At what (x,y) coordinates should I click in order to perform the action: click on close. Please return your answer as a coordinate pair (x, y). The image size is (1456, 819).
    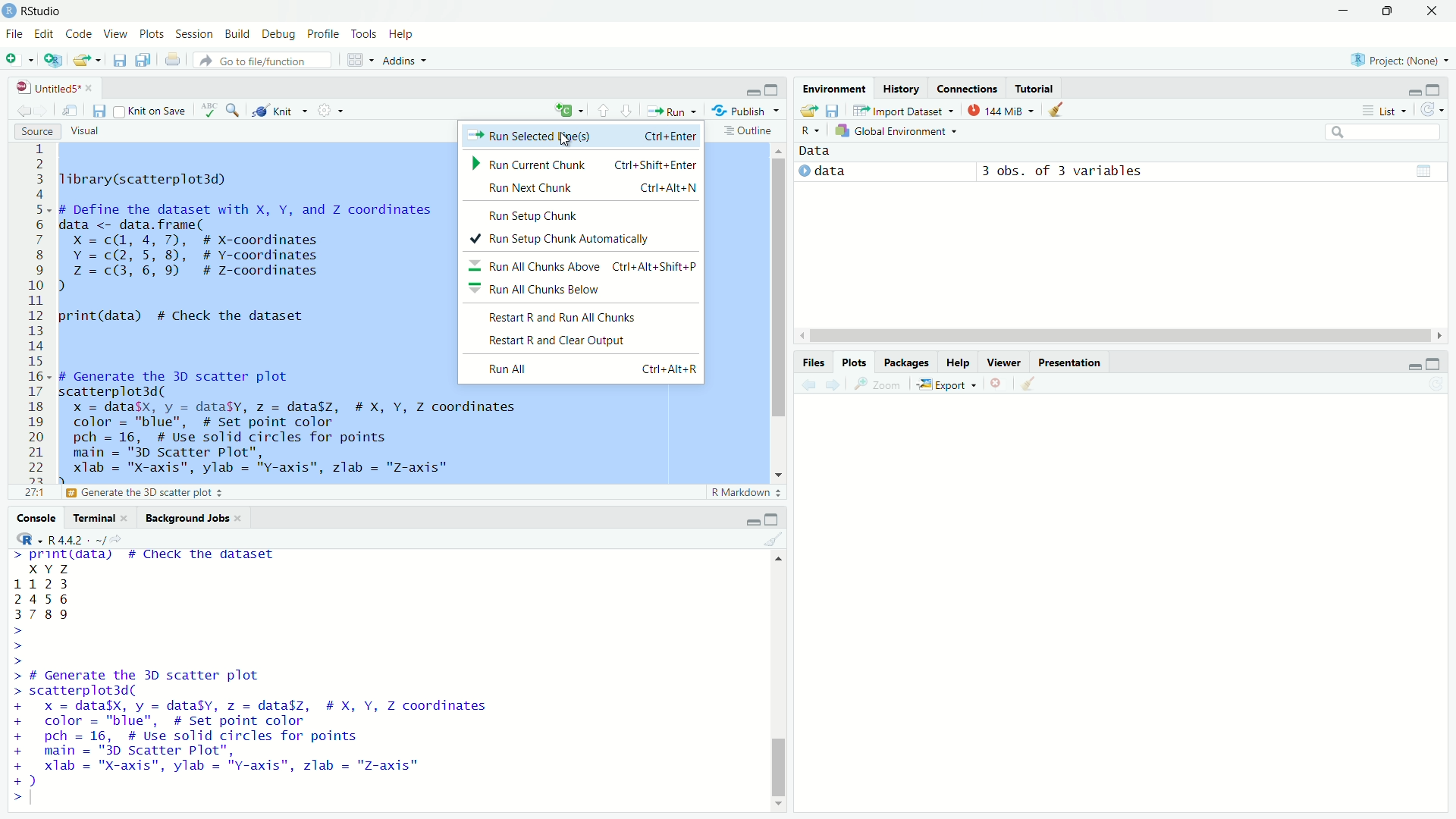
    Looking at the image, I should click on (1435, 12).